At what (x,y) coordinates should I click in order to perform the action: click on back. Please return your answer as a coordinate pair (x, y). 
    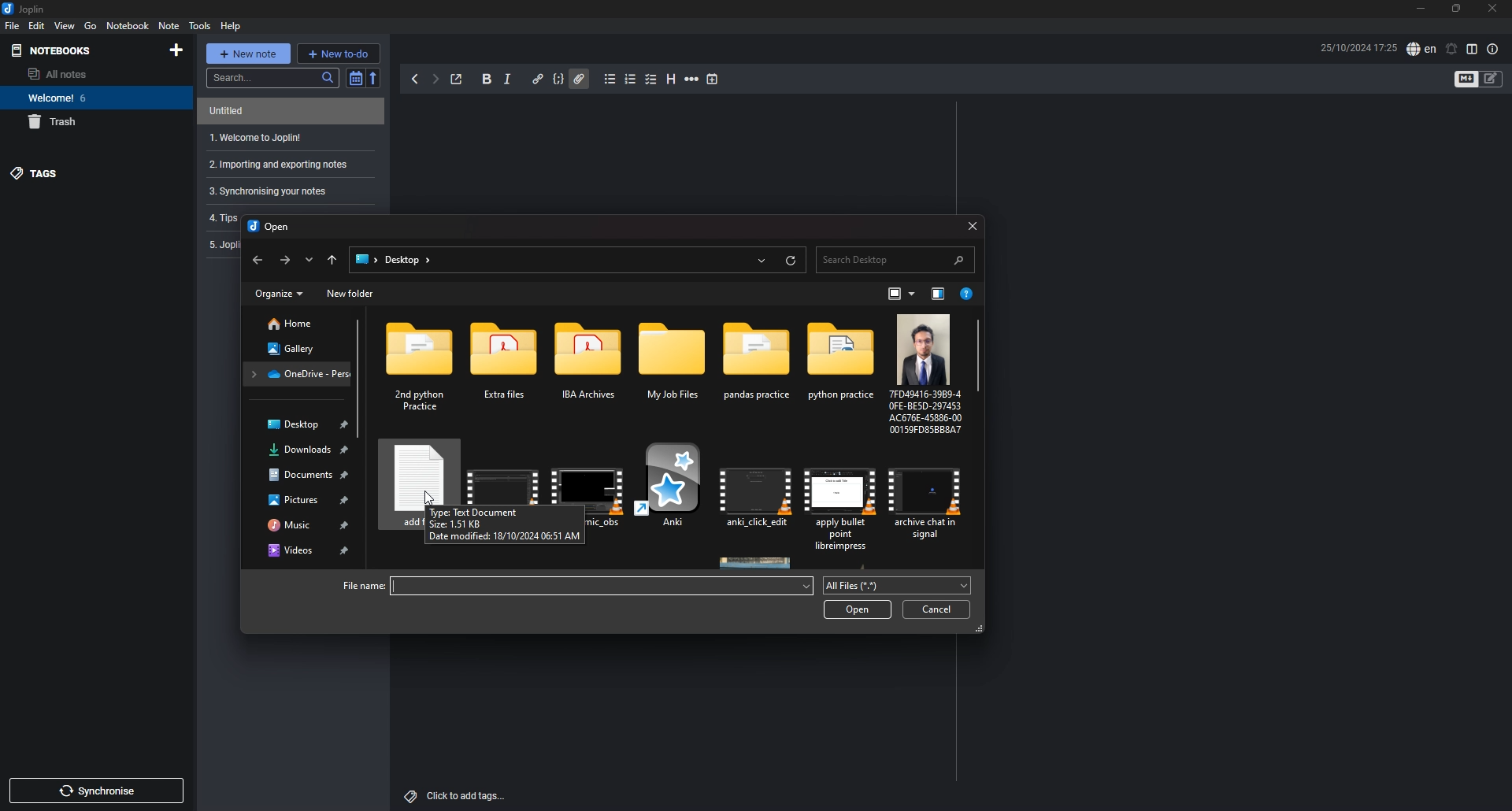
    Looking at the image, I should click on (256, 261).